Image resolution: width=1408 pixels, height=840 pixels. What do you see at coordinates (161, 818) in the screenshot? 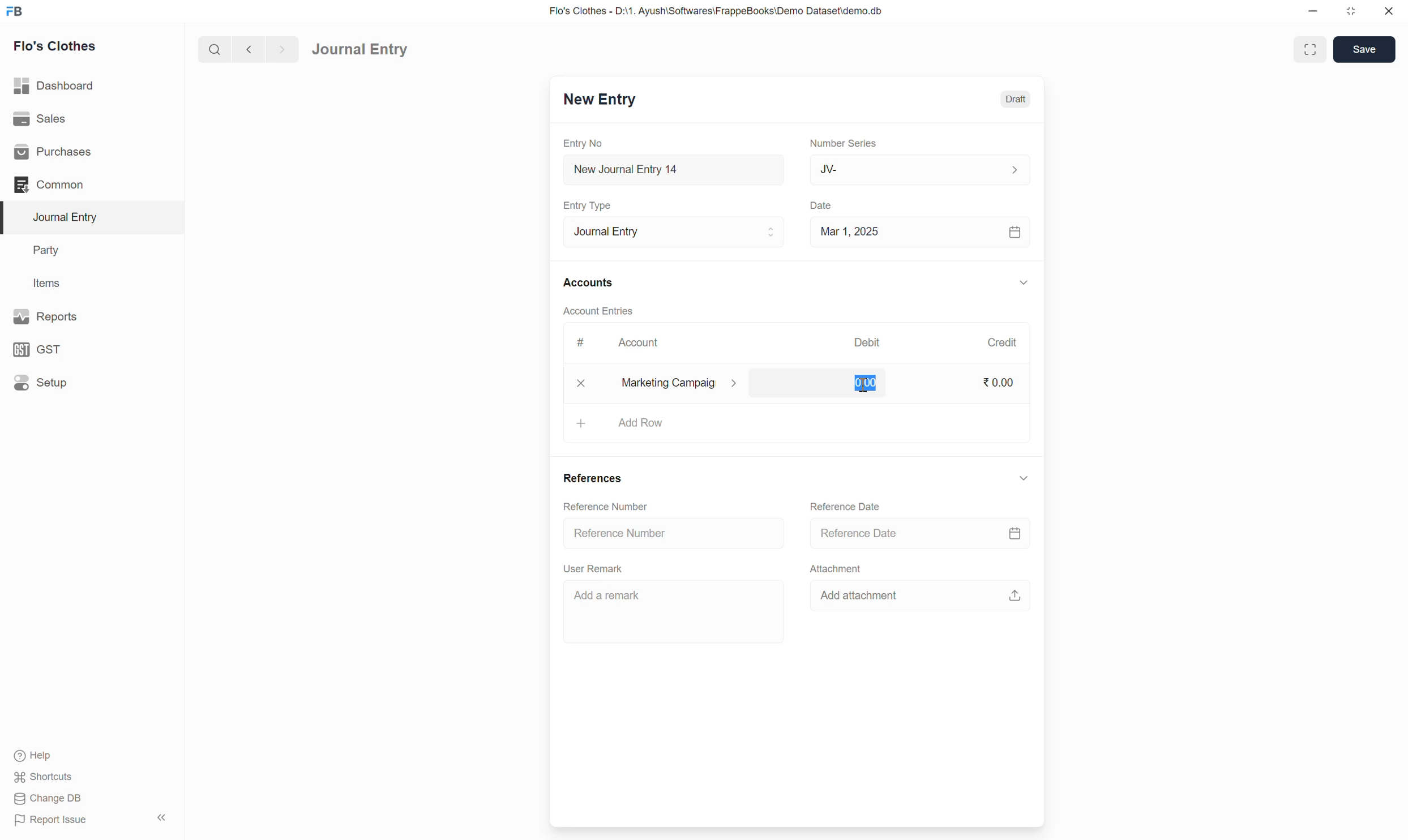
I see `<<` at bounding box center [161, 818].